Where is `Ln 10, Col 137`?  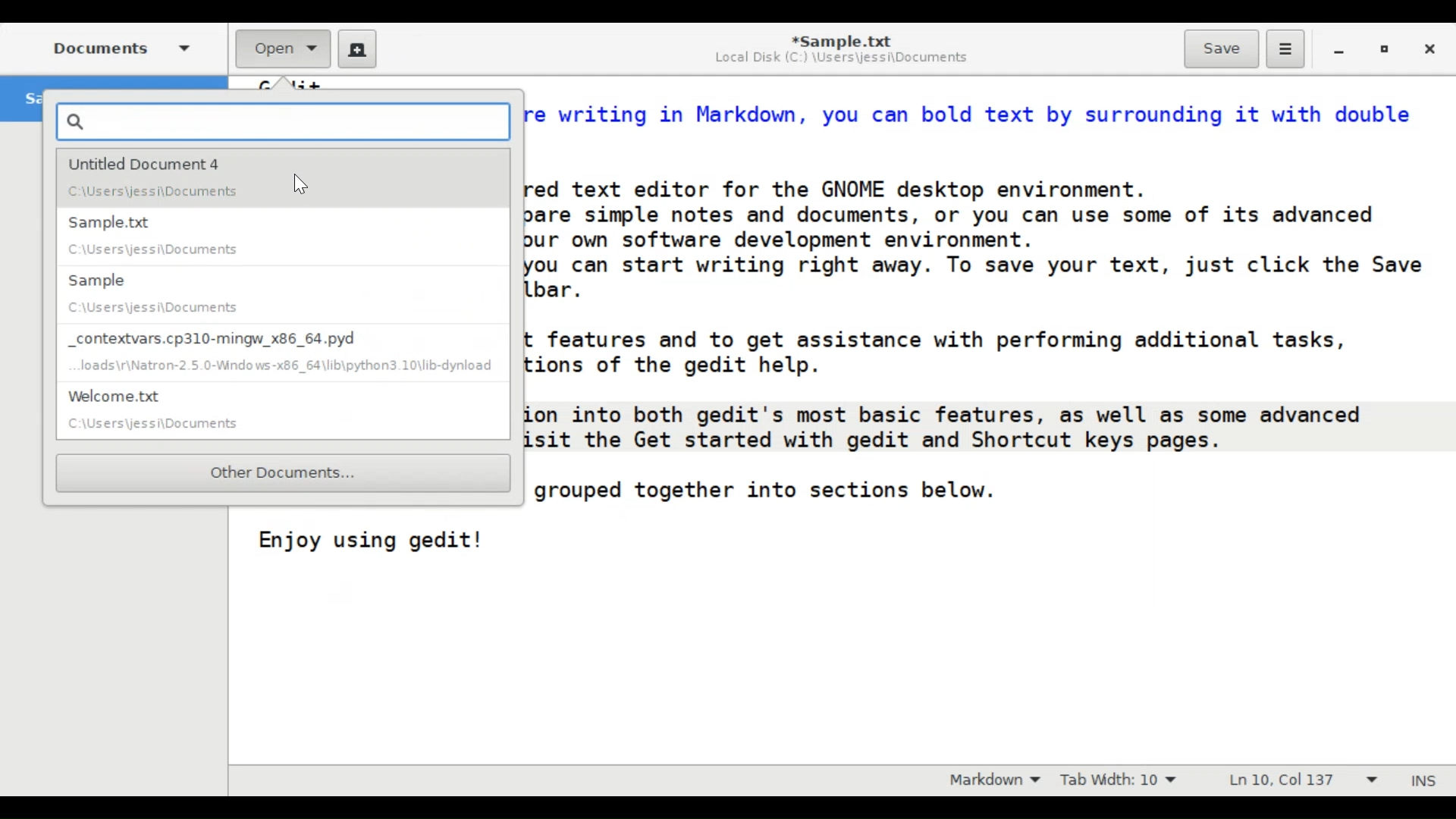
Ln 10, Col 137 is located at coordinates (1301, 779).